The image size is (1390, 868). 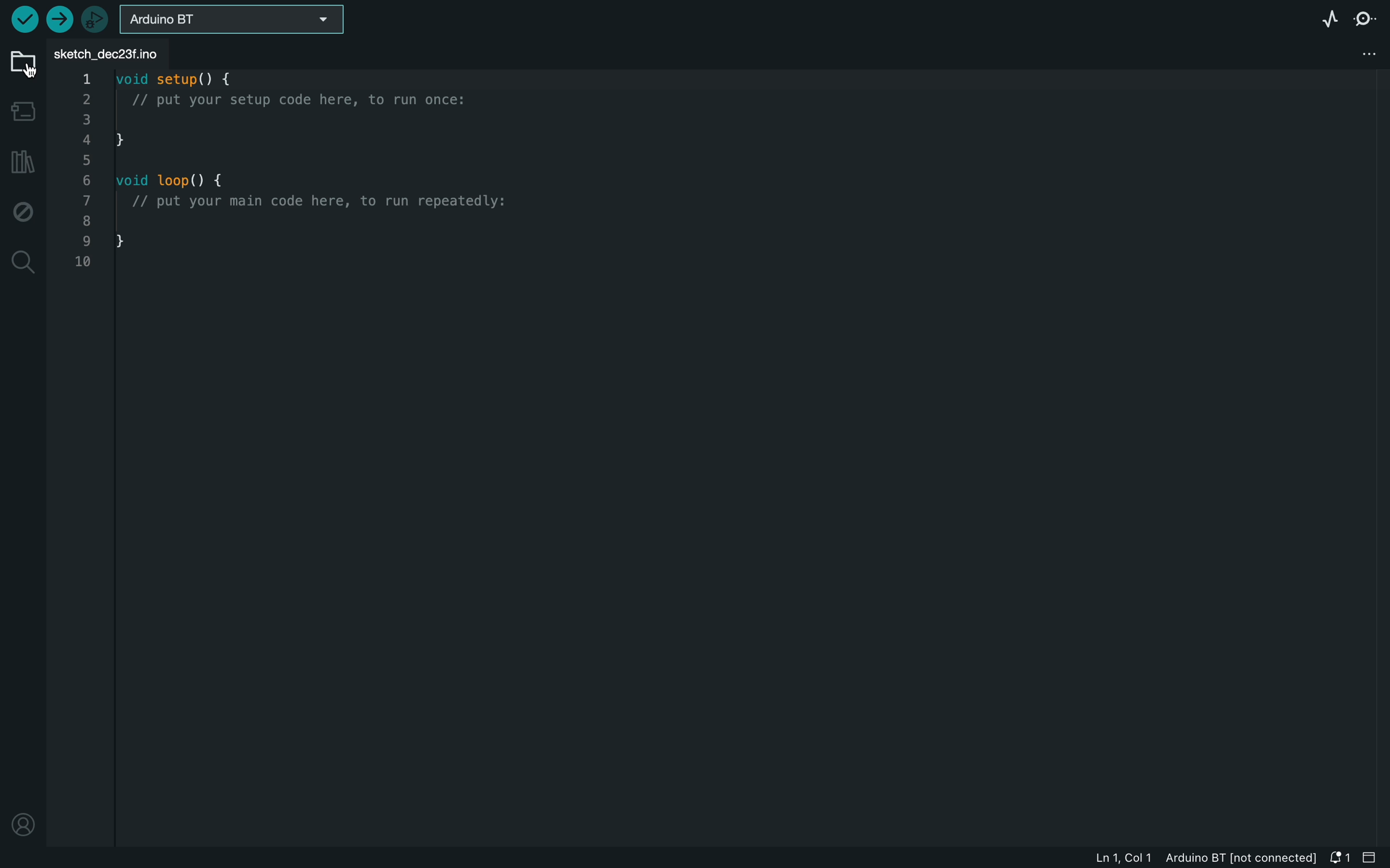 I want to click on board manager, so click(x=23, y=111).